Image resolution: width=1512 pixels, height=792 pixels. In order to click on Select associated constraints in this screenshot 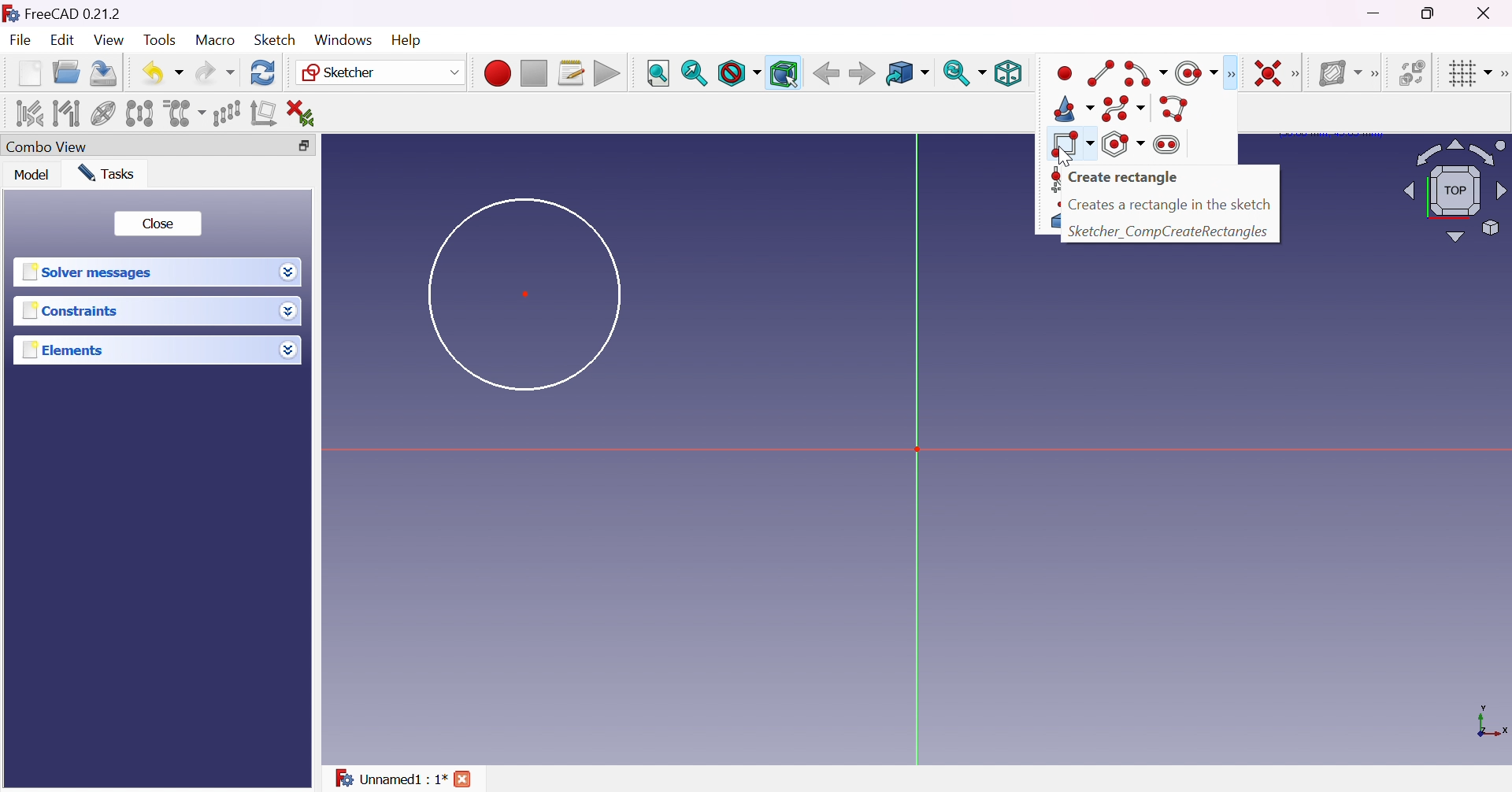, I will do `click(27, 113)`.